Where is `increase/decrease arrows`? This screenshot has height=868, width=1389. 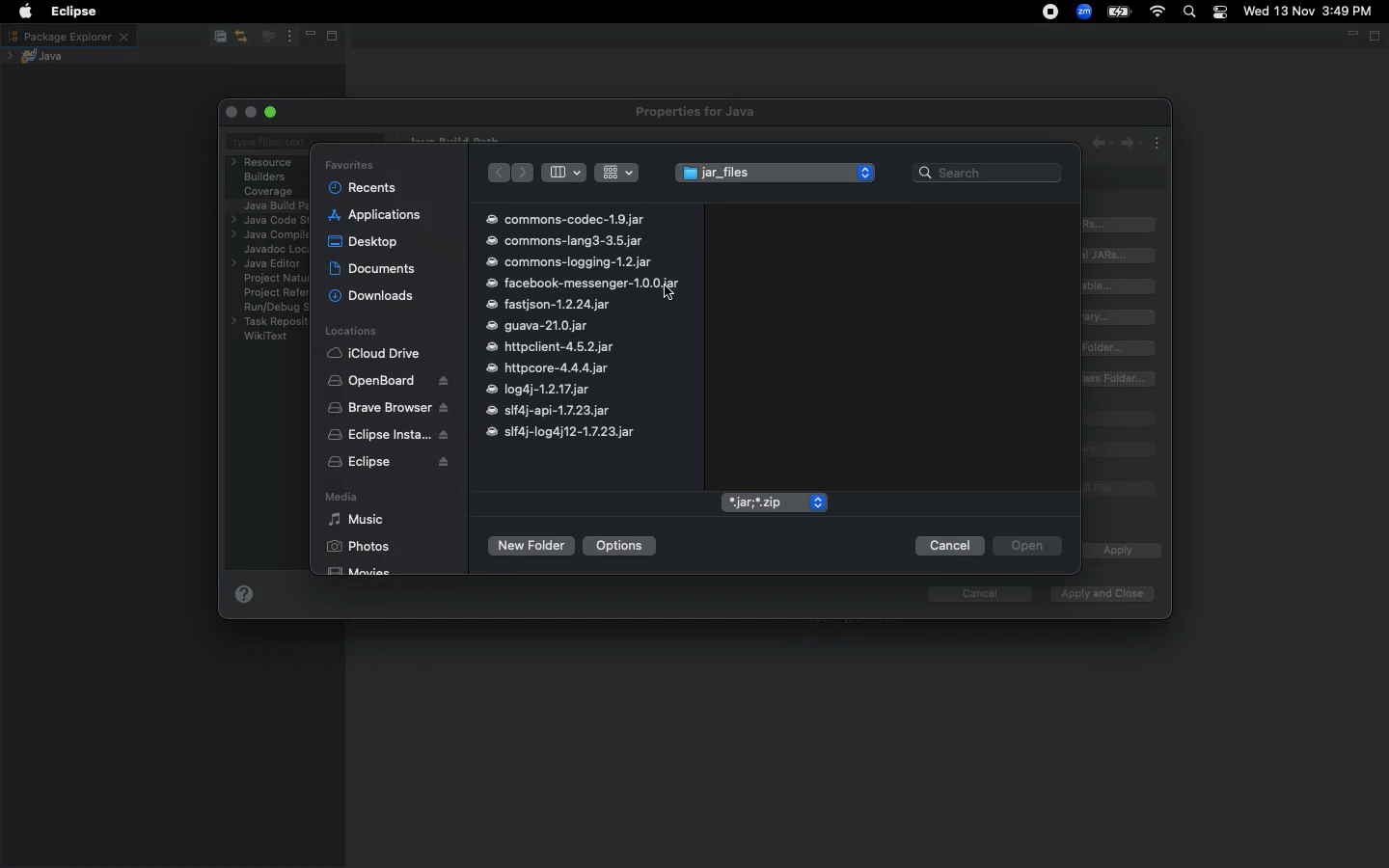 increase/decrease arrows is located at coordinates (817, 502).